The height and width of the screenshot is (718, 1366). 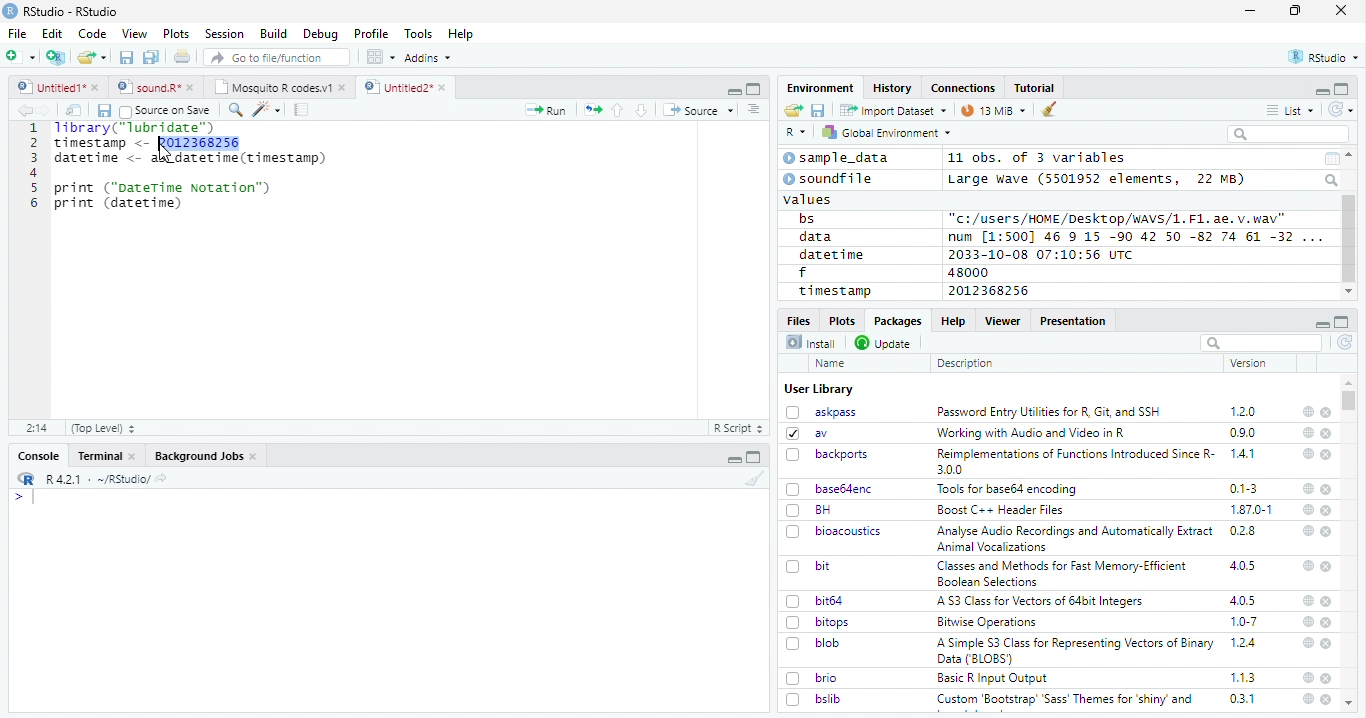 What do you see at coordinates (273, 34) in the screenshot?
I see `Build` at bounding box center [273, 34].